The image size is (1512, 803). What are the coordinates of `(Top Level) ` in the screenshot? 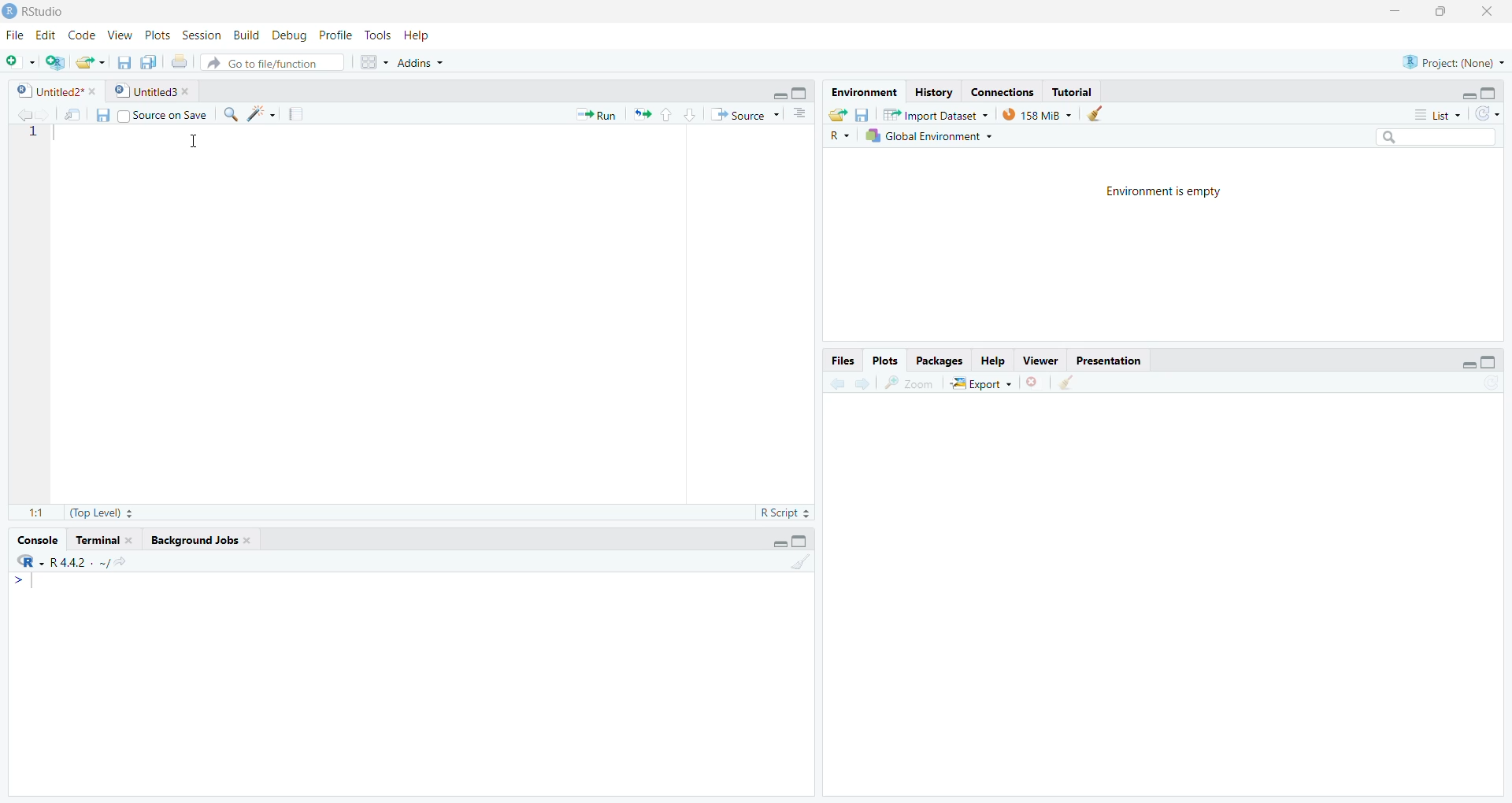 It's located at (107, 512).